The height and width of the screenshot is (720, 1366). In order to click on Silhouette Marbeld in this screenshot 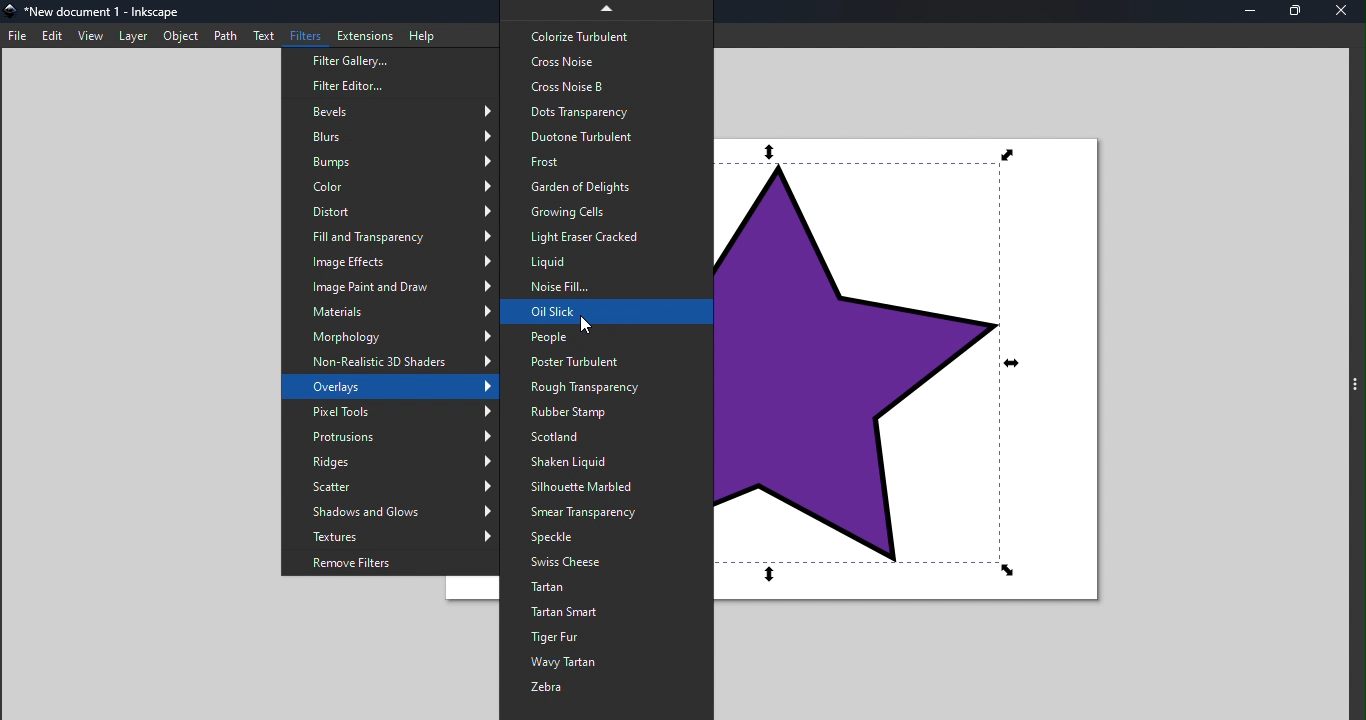, I will do `click(611, 485)`.